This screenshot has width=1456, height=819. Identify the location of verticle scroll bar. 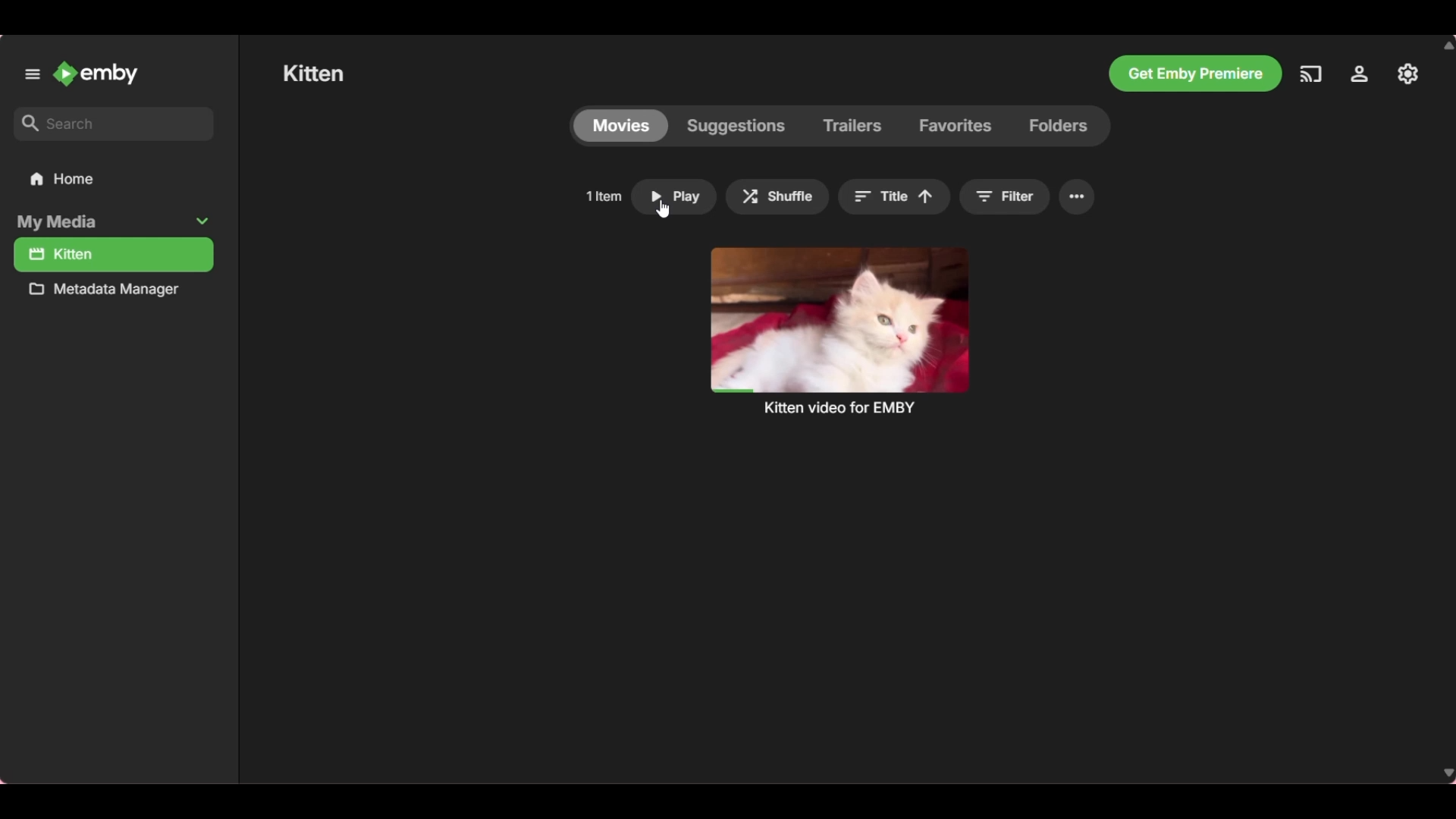
(1448, 409).